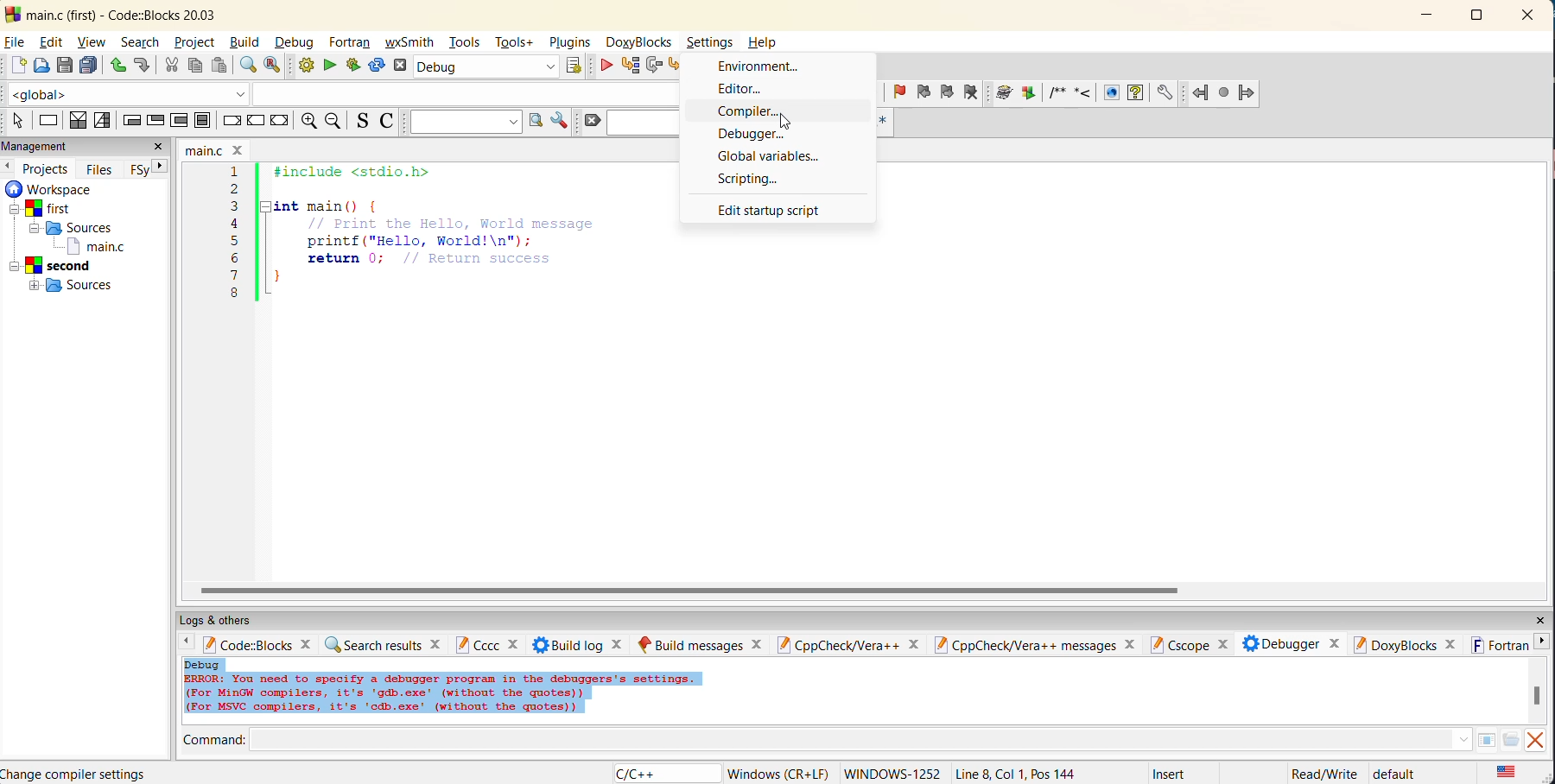 The width and height of the screenshot is (1555, 784). What do you see at coordinates (90, 66) in the screenshot?
I see `save all` at bounding box center [90, 66].